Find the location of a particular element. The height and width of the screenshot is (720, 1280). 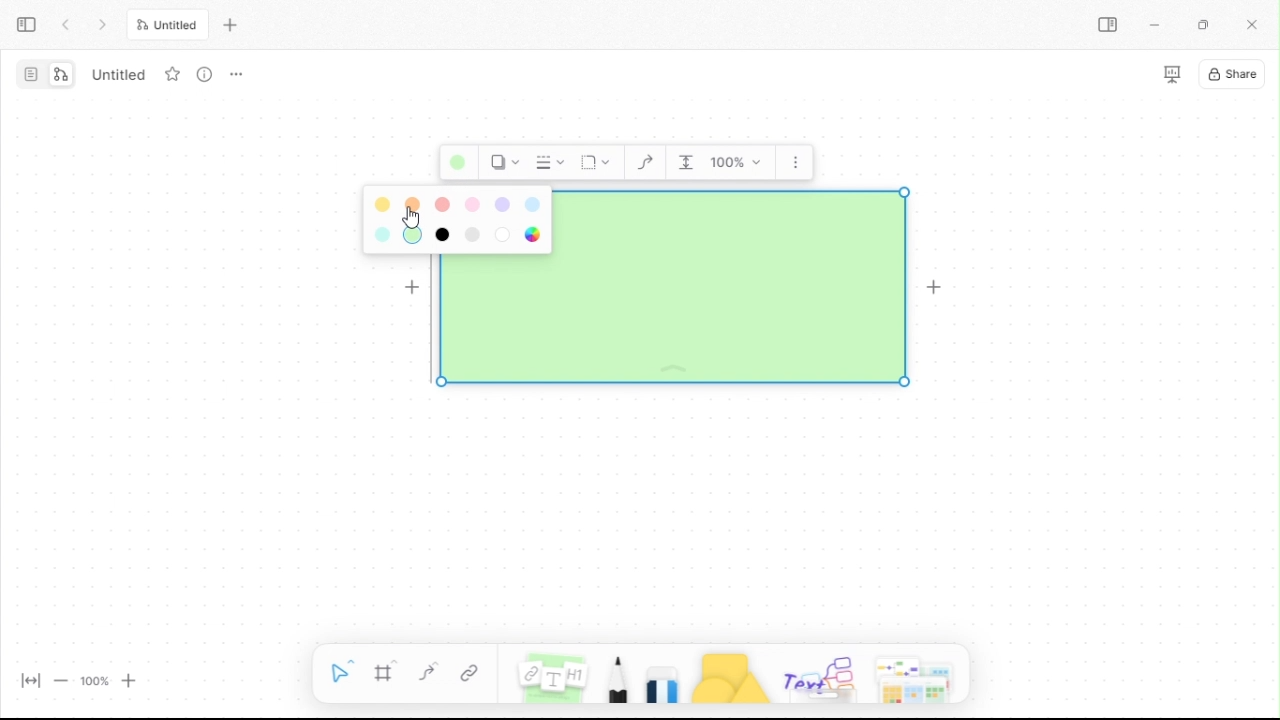

eraser is located at coordinates (663, 676).